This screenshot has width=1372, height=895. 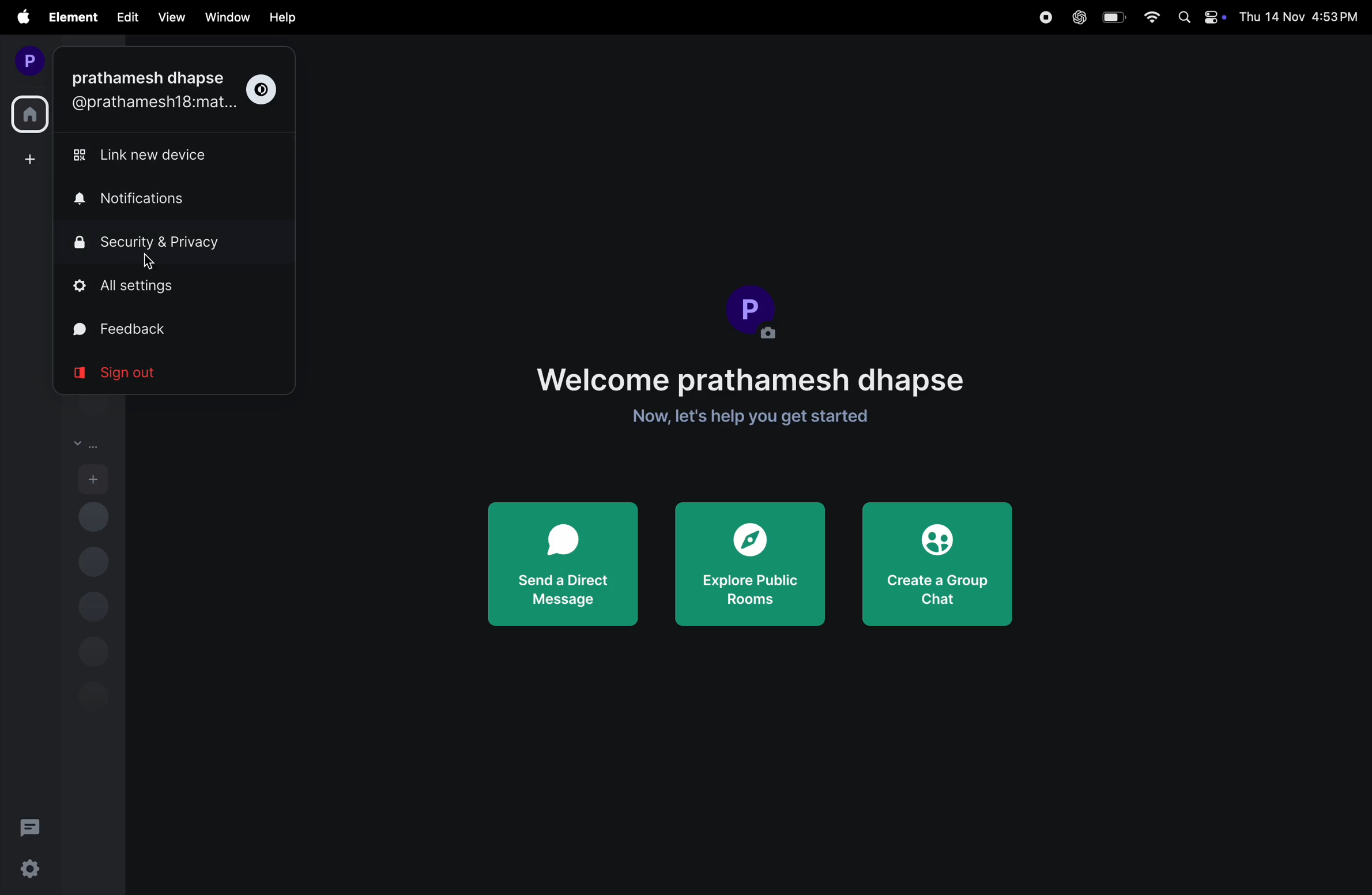 What do you see at coordinates (27, 60) in the screenshot?
I see `profile` at bounding box center [27, 60].